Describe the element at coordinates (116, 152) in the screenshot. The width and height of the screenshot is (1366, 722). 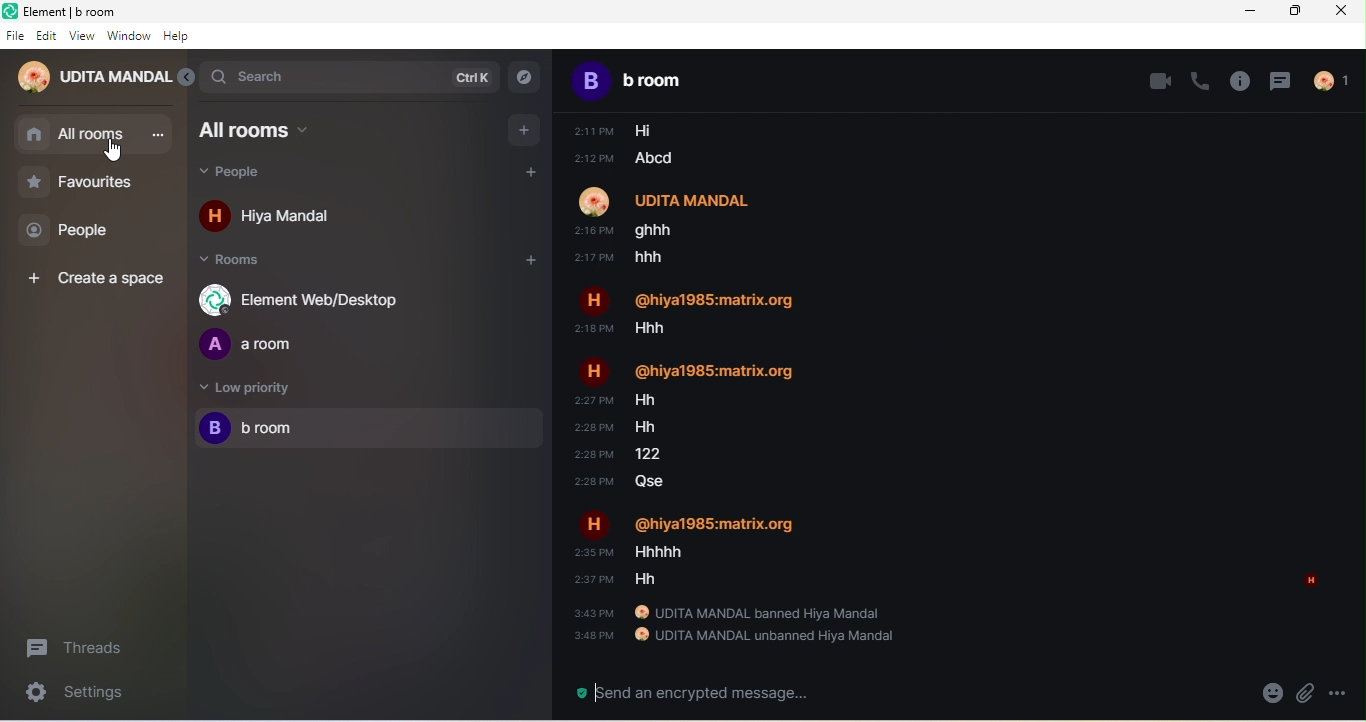
I see `cursor` at that location.